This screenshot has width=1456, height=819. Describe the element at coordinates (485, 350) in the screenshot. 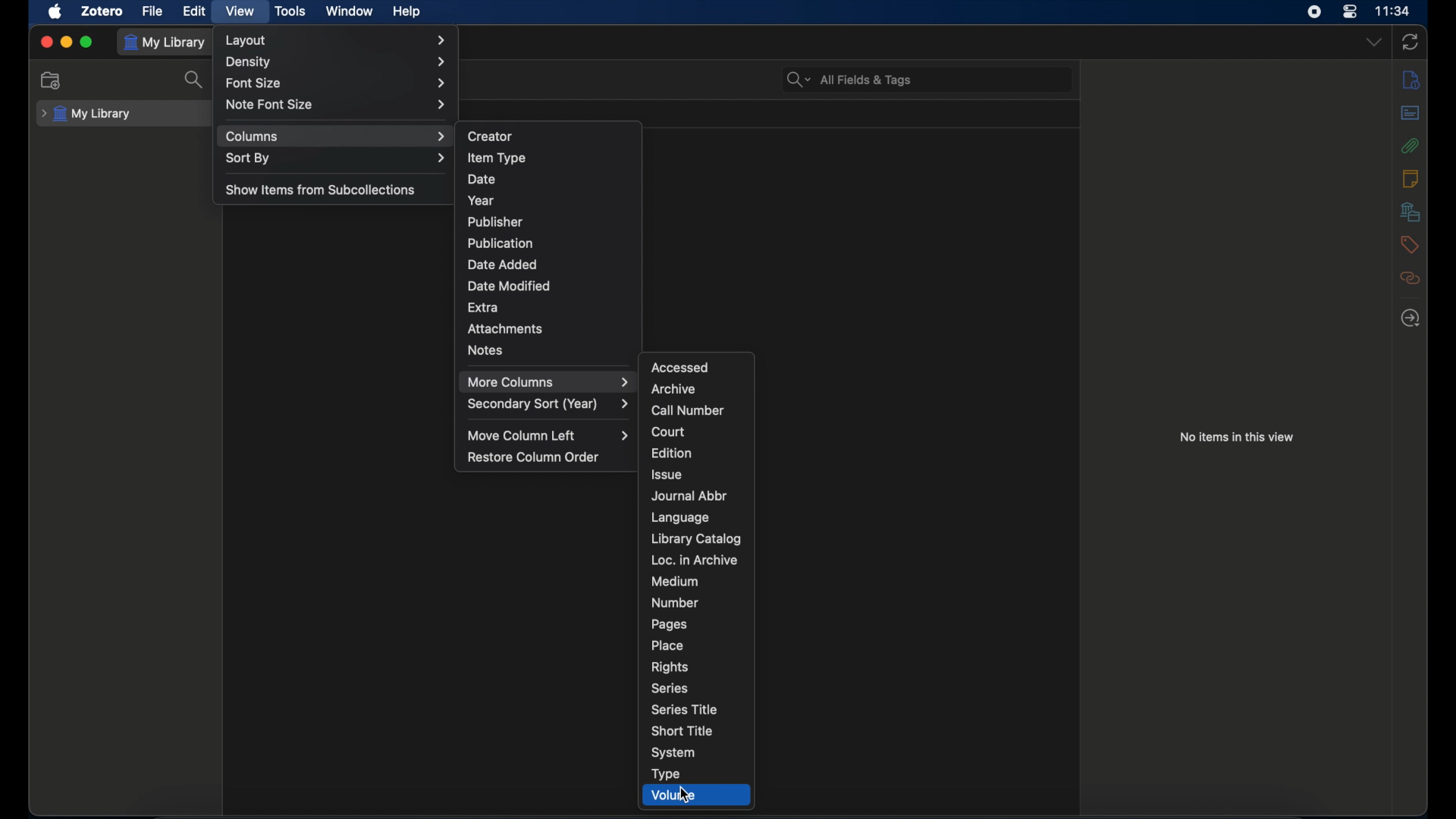

I see `notes` at that location.